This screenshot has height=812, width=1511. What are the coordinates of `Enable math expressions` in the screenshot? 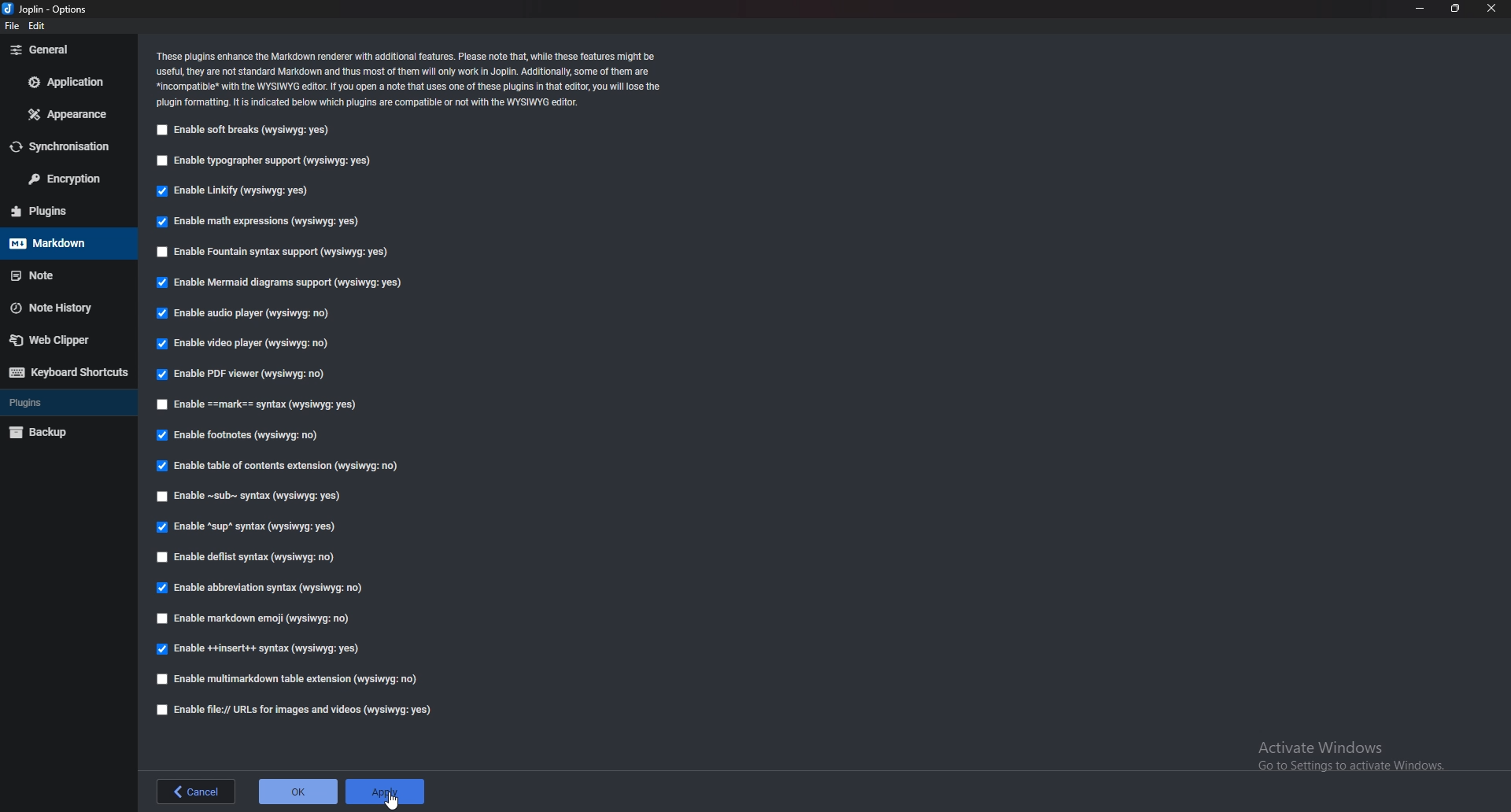 It's located at (260, 223).